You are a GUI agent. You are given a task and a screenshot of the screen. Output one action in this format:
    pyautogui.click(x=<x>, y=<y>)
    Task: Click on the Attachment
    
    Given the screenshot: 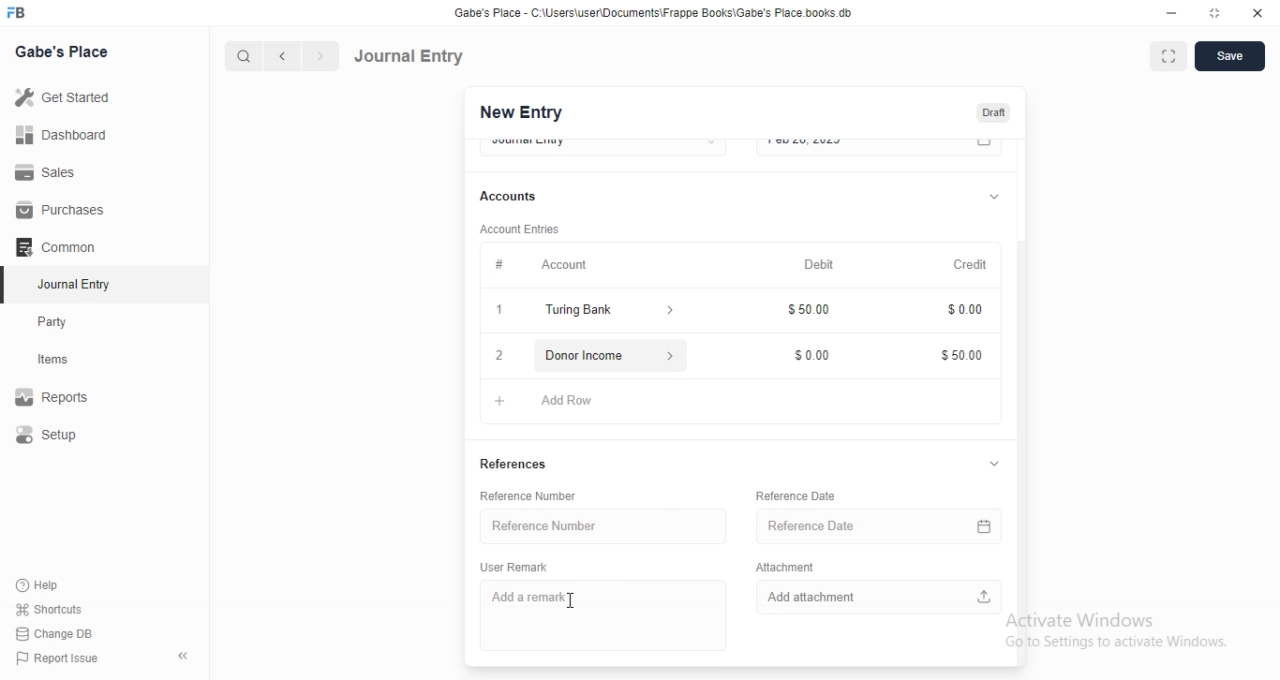 What is the action you would take?
    pyautogui.click(x=785, y=565)
    